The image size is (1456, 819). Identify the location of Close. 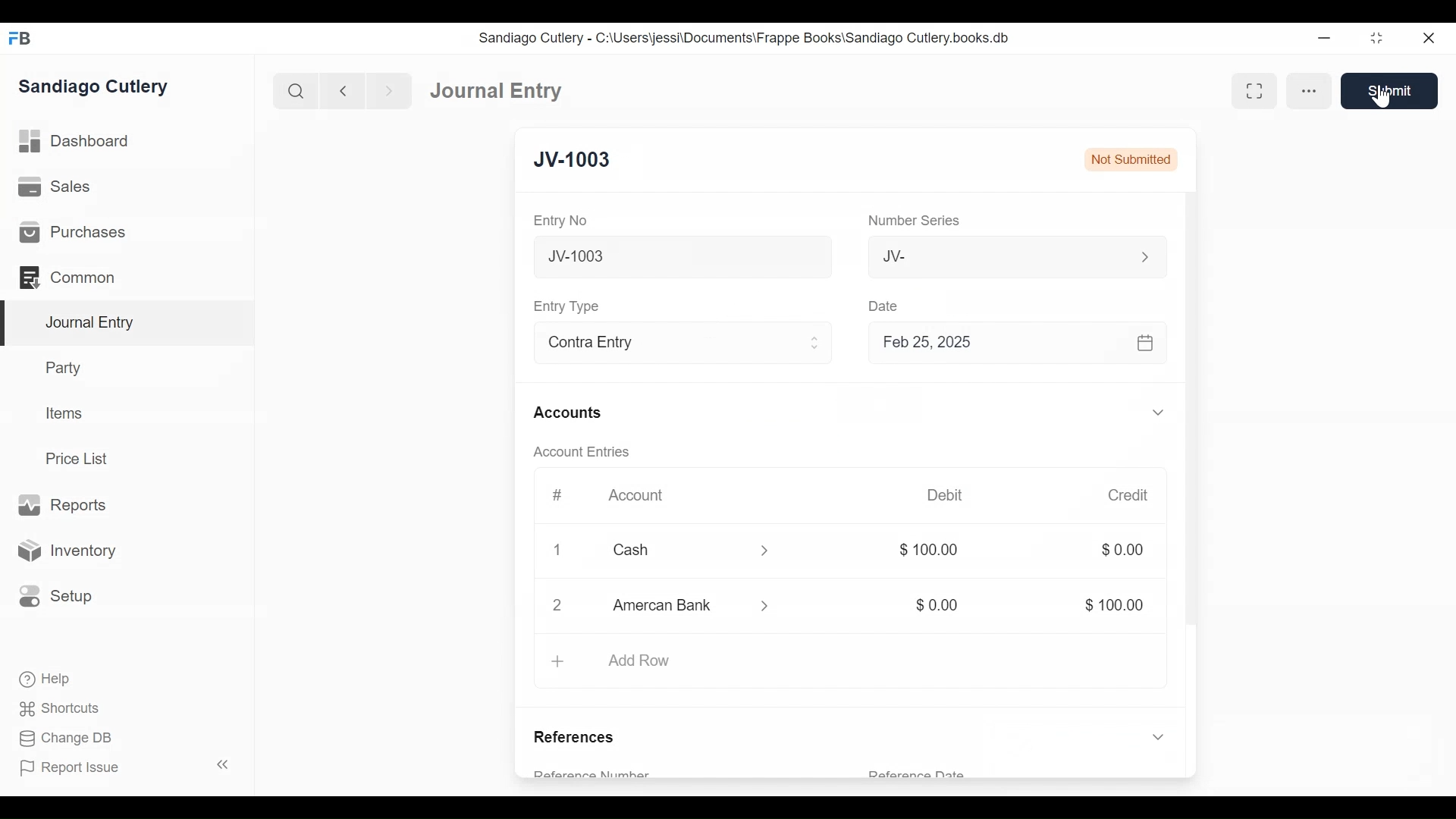
(1427, 39).